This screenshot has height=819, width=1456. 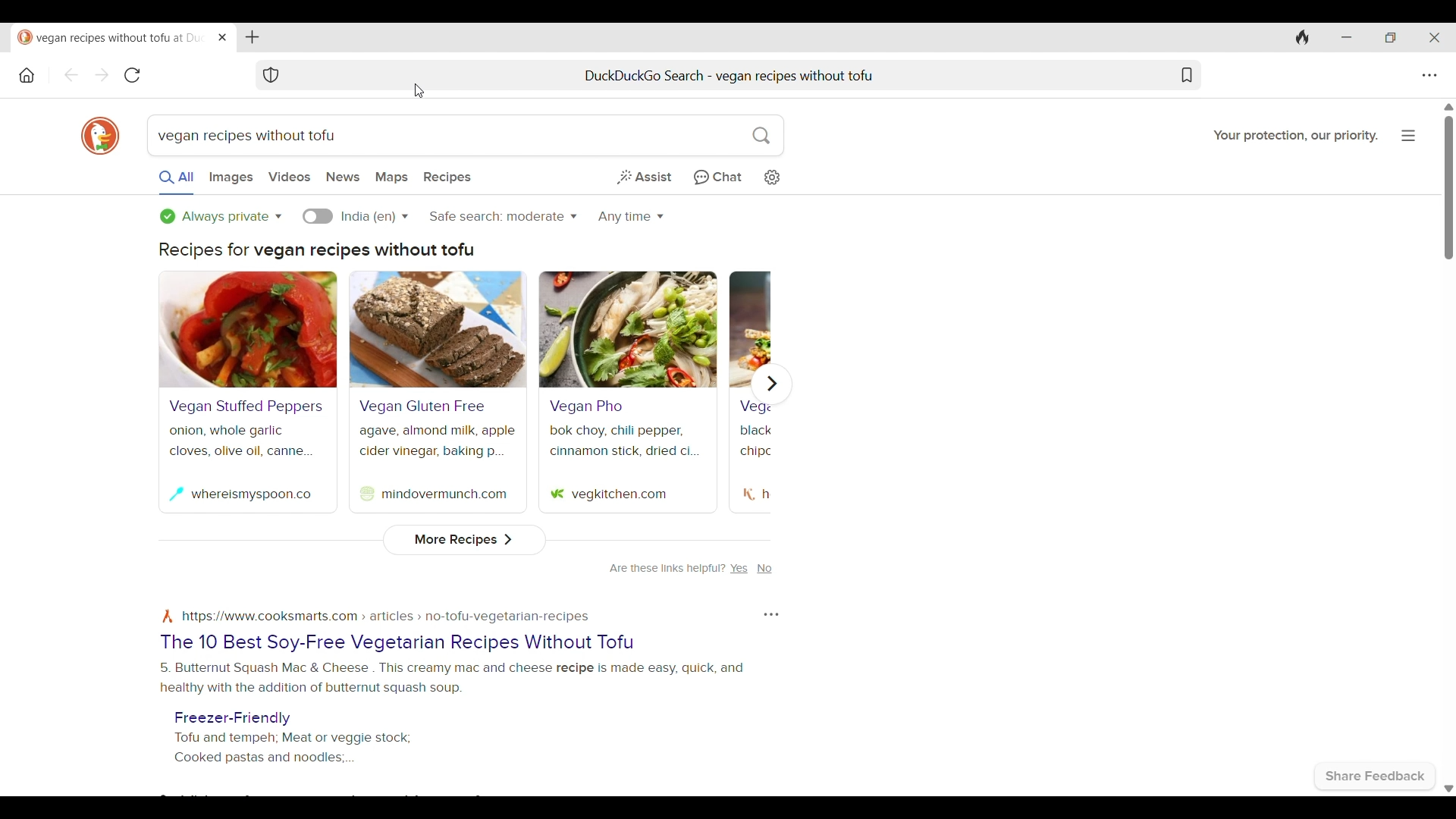 What do you see at coordinates (243, 441) in the screenshot?
I see `onion, whole garlic cloves, olive oil, canne...` at bounding box center [243, 441].